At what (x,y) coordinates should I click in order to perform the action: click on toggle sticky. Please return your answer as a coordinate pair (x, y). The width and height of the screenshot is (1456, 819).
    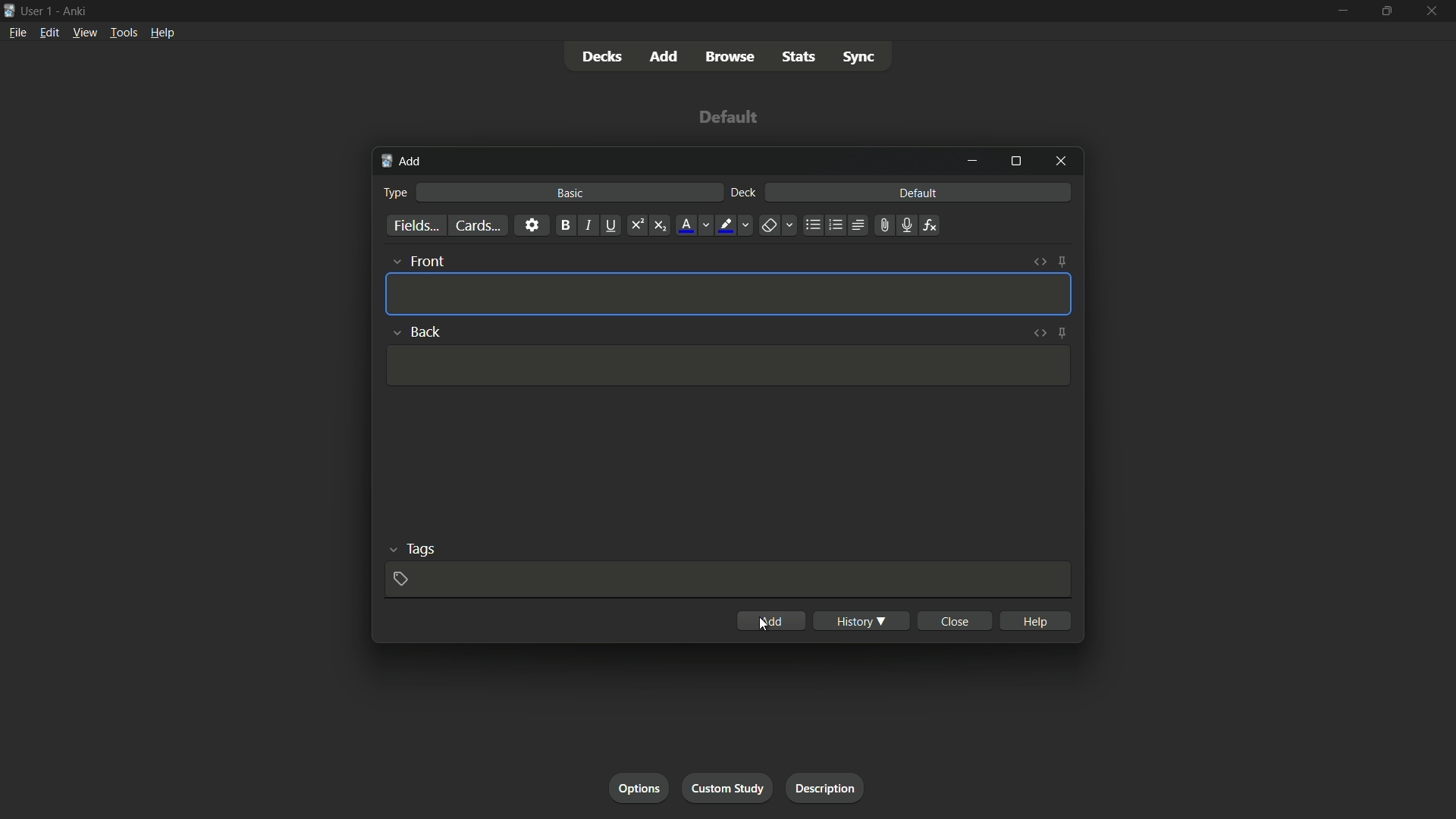
    Looking at the image, I should click on (1063, 262).